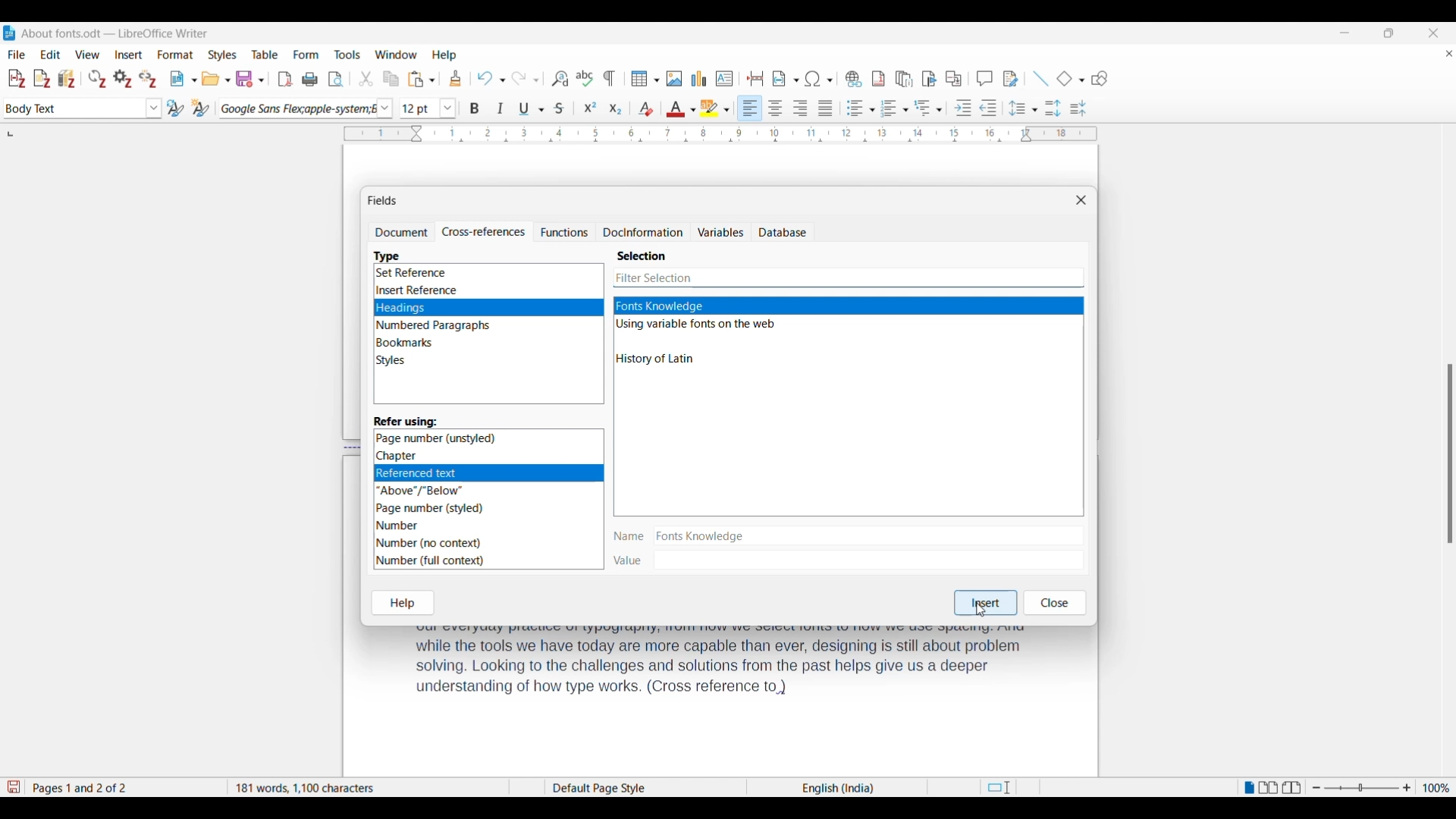 The image size is (1456, 819). Describe the element at coordinates (984, 78) in the screenshot. I see `Insert comment` at that location.